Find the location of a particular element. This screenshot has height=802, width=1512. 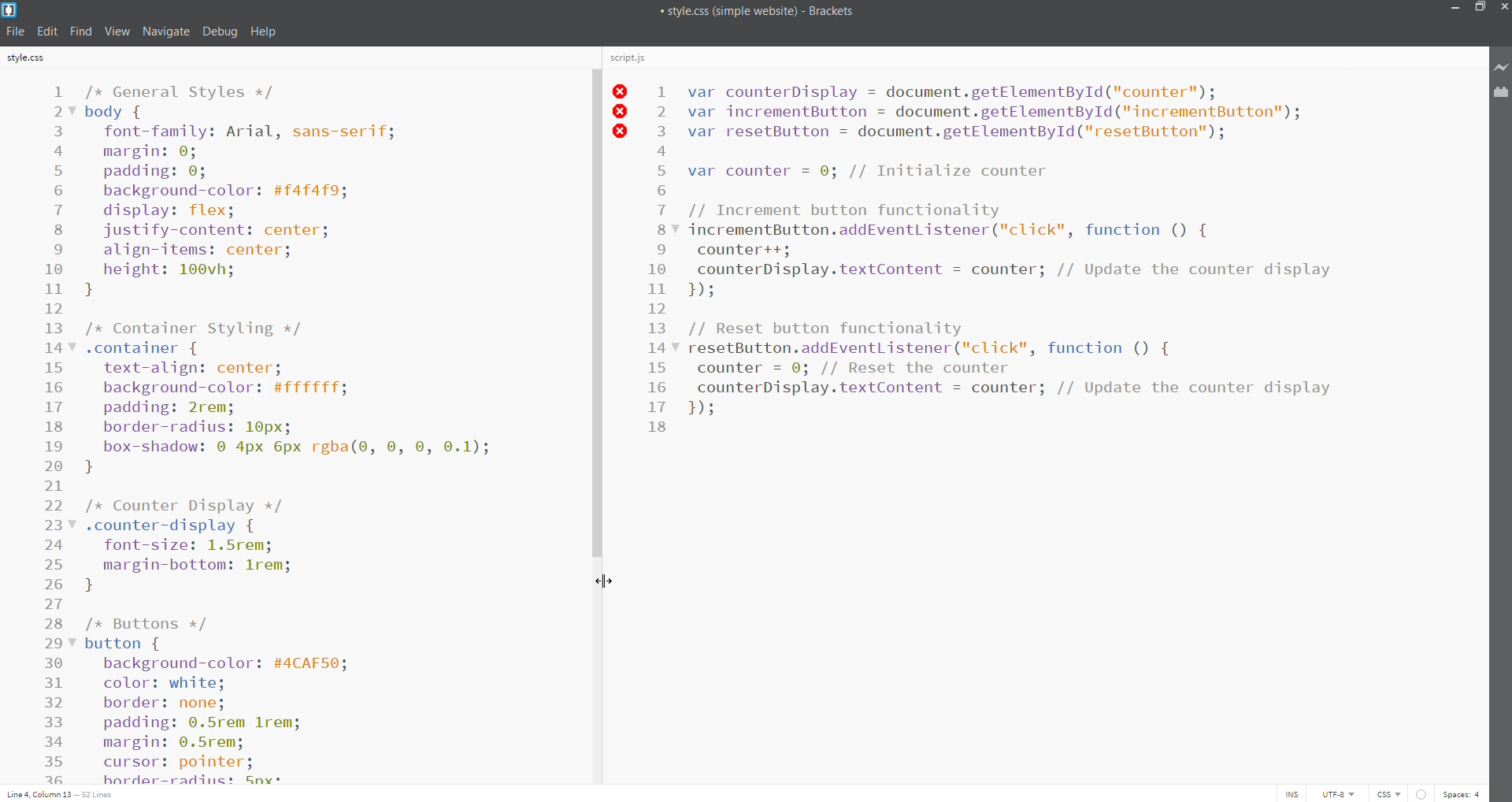

edit is located at coordinates (47, 32).